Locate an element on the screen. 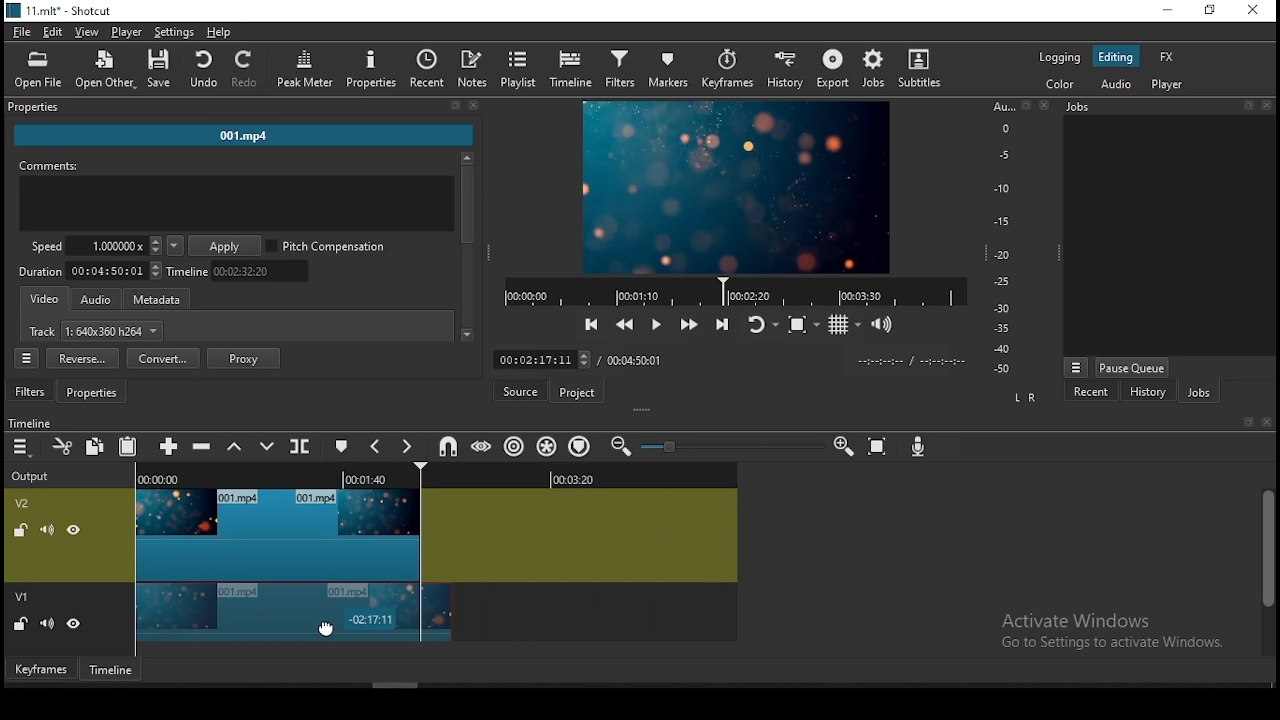  minimize is located at coordinates (1166, 11).